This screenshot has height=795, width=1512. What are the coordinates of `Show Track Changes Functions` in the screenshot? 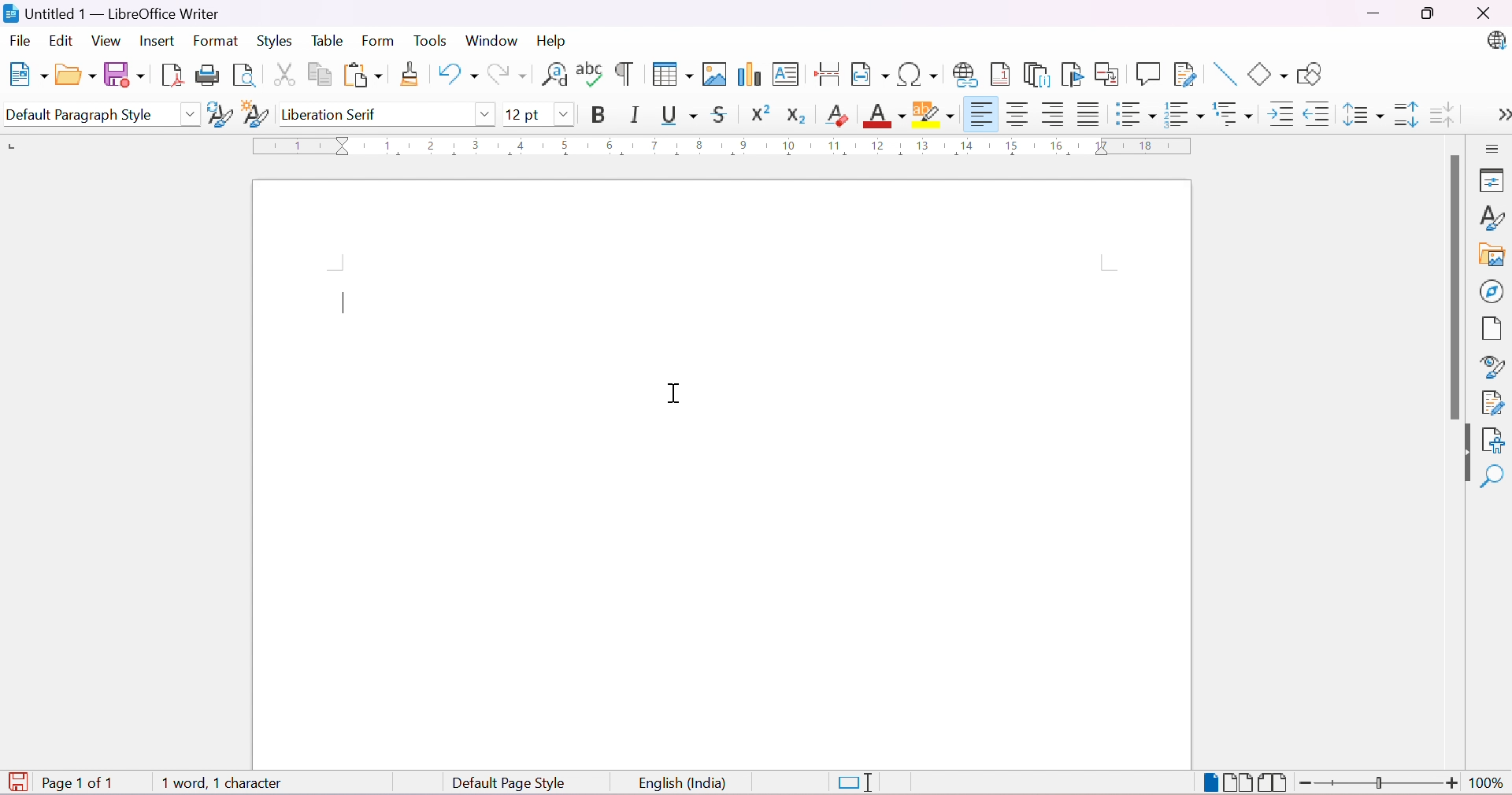 It's located at (1187, 74).